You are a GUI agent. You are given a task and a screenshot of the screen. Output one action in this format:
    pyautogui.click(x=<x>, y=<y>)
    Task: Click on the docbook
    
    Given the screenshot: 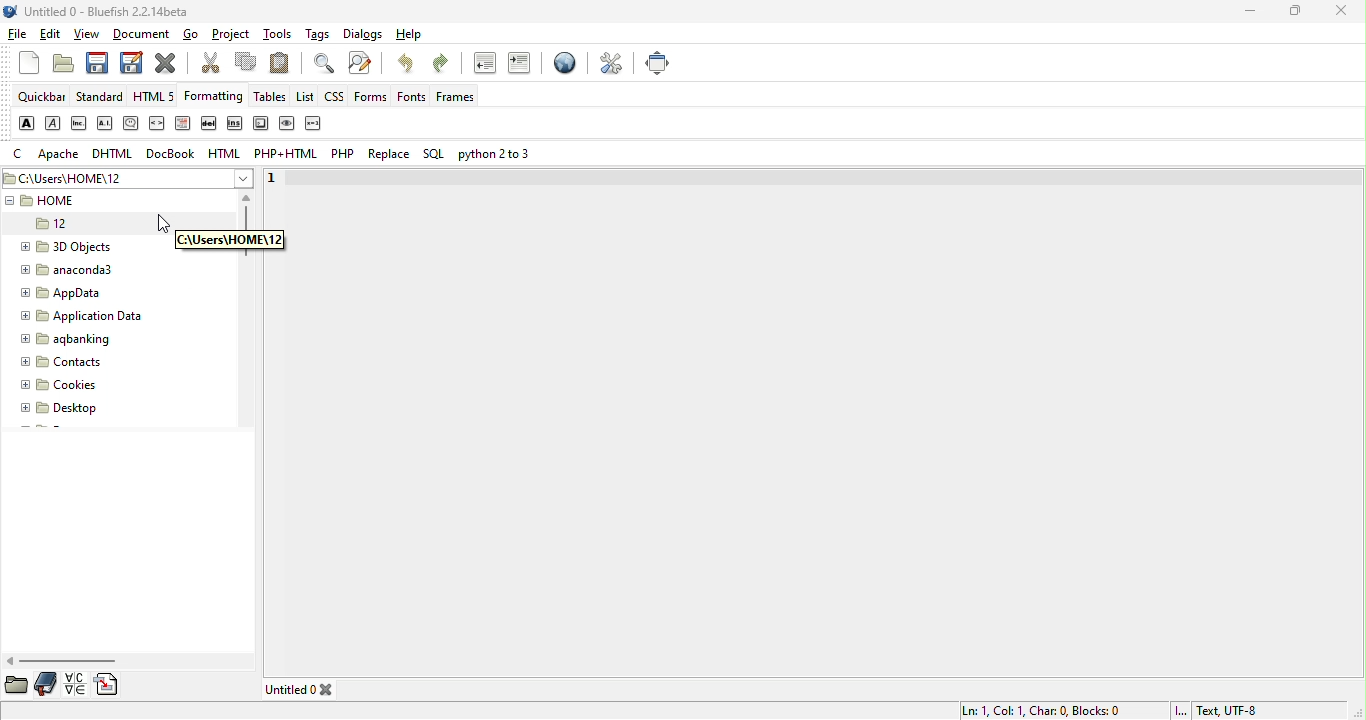 What is the action you would take?
    pyautogui.click(x=172, y=155)
    